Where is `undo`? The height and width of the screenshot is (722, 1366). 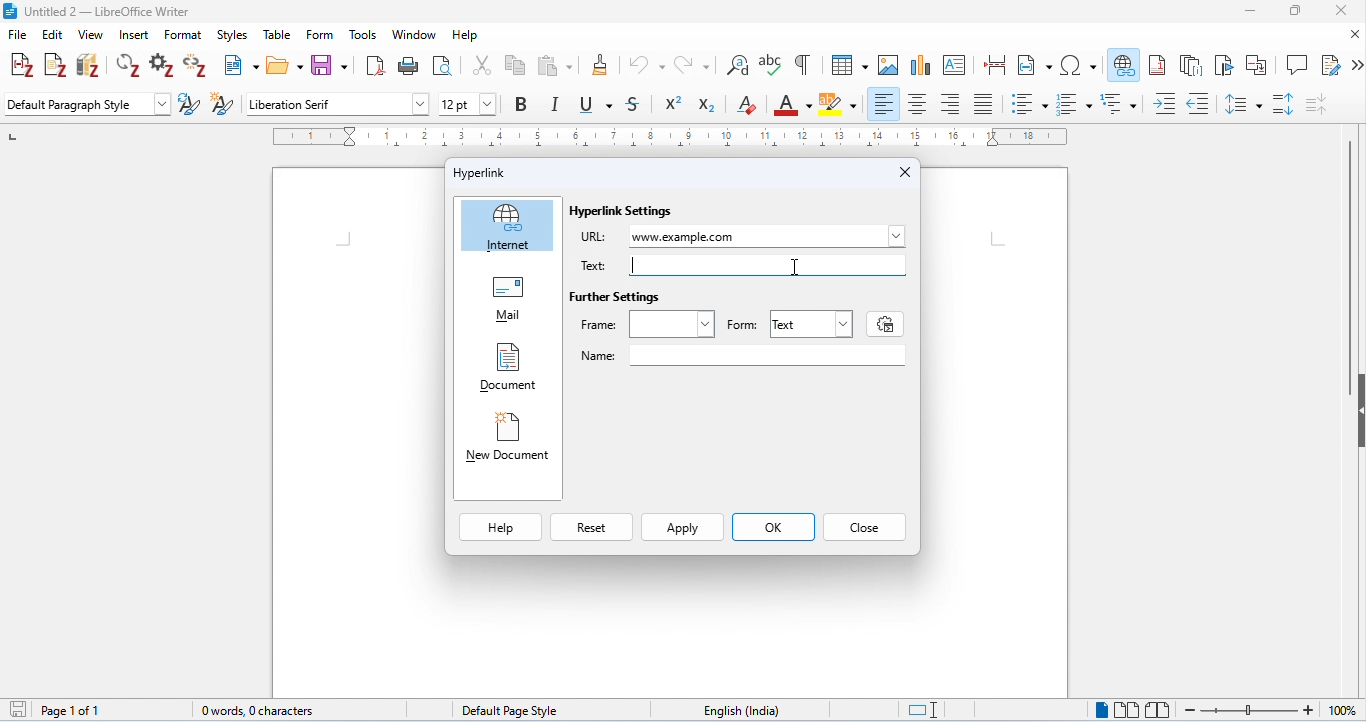 undo is located at coordinates (647, 65).